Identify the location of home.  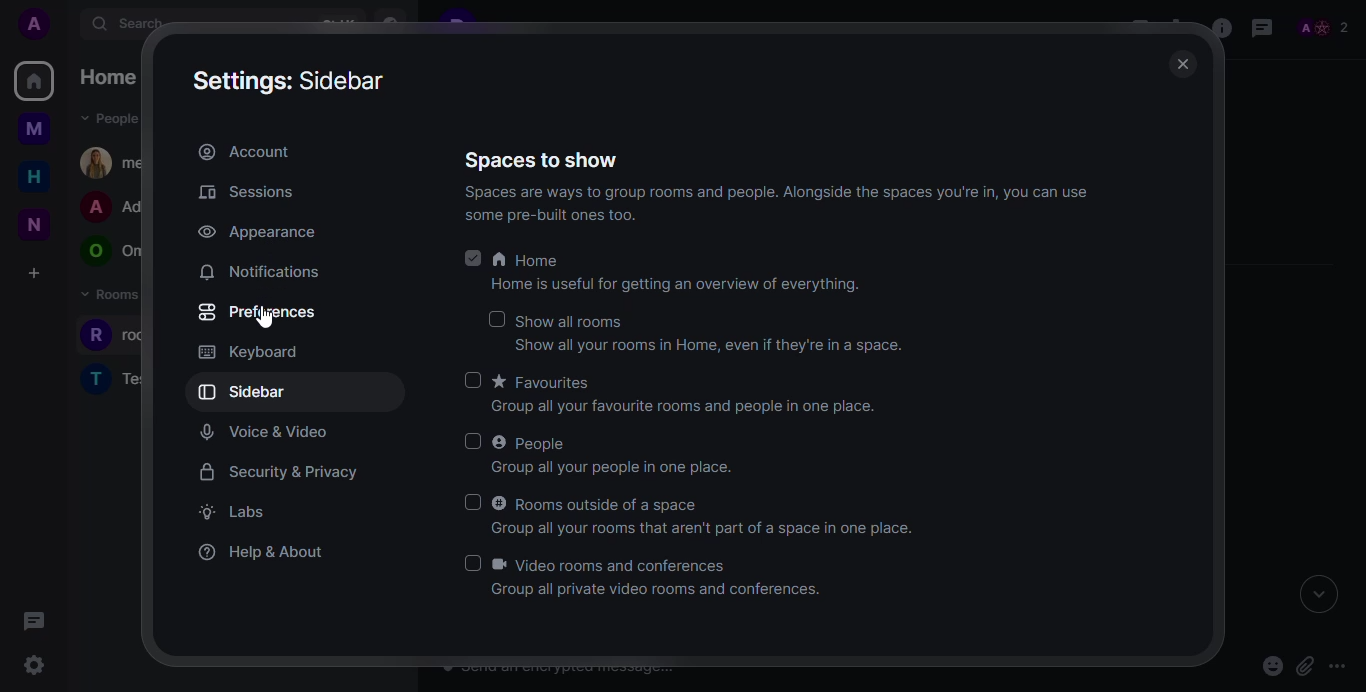
(35, 81).